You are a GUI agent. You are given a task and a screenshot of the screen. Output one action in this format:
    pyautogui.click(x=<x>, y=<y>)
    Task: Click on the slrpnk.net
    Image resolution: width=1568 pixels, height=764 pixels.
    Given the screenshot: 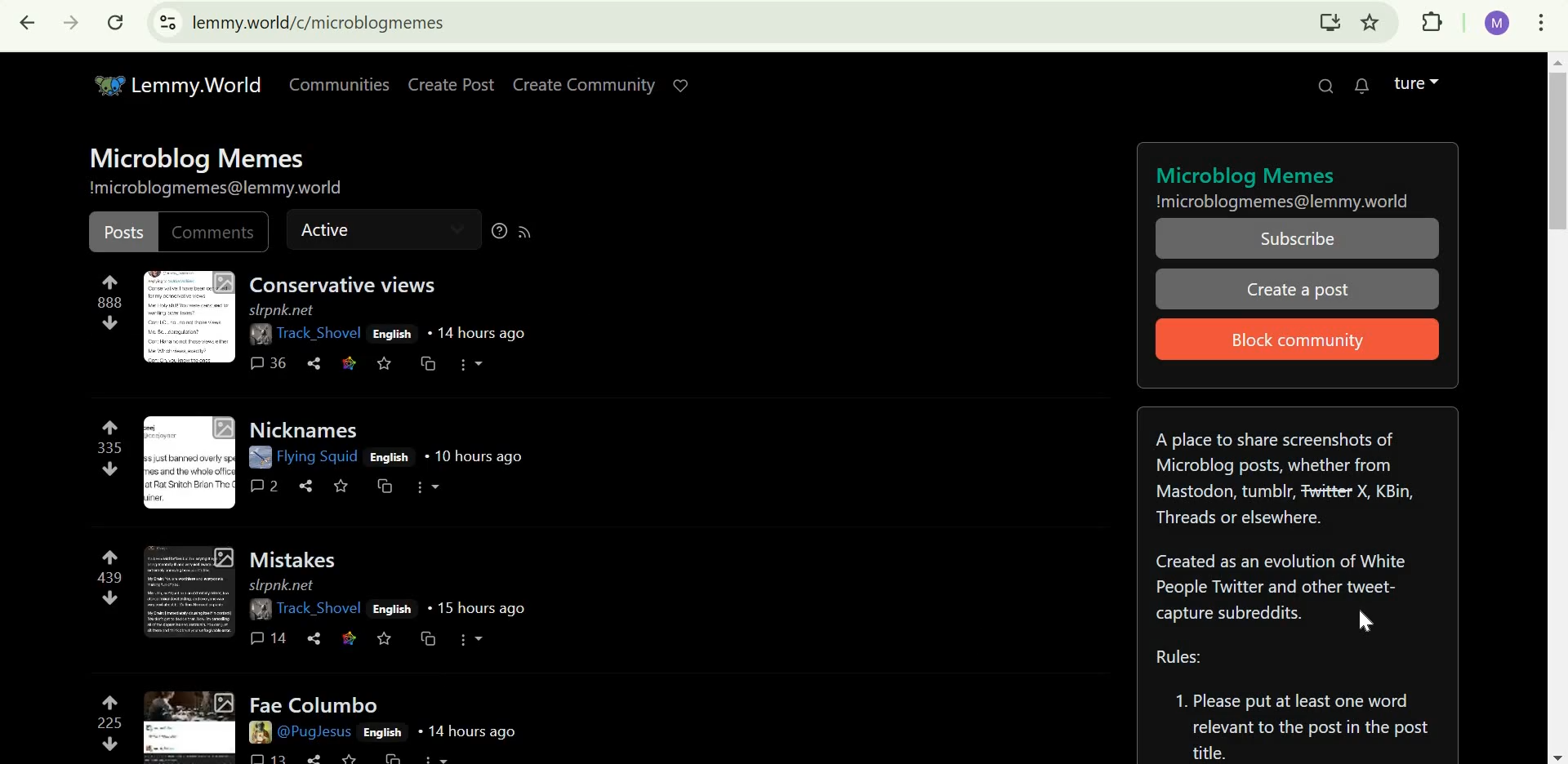 What is the action you would take?
    pyautogui.click(x=282, y=310)
    